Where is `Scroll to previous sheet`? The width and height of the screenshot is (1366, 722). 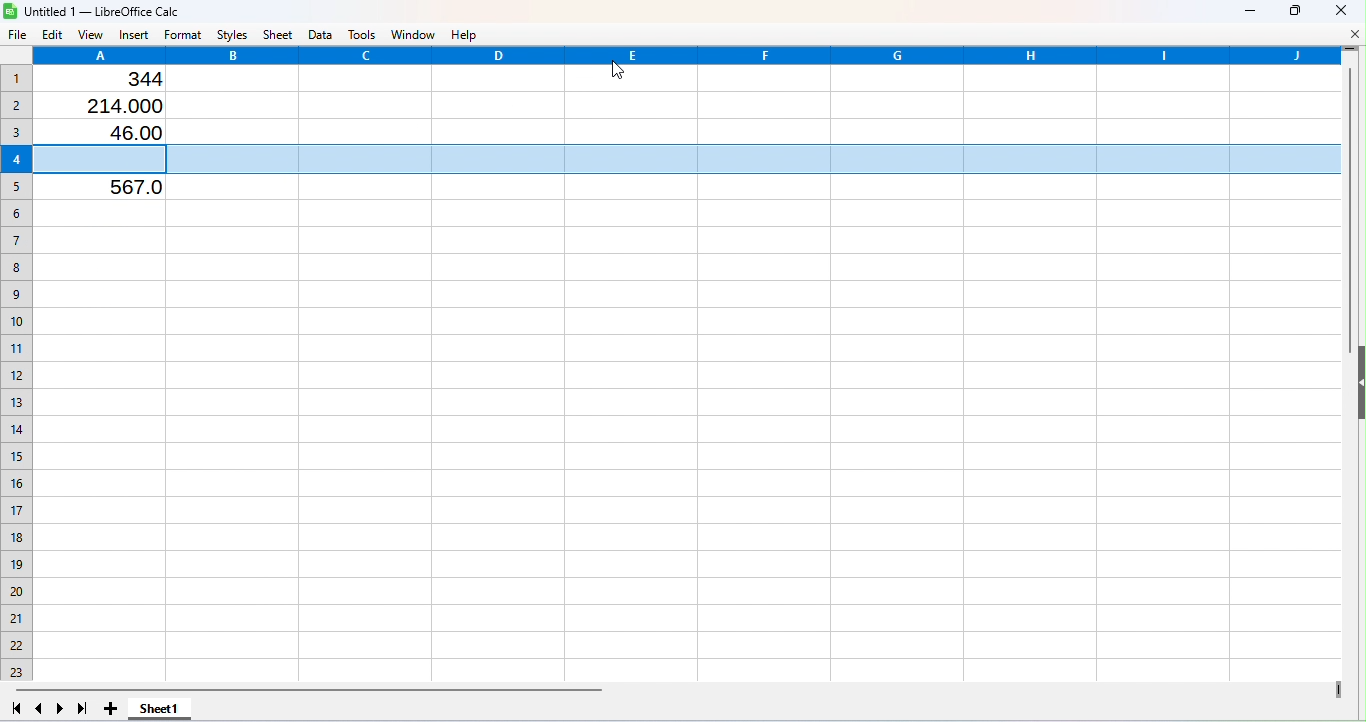
Scroll to previous sheet is located at coordinates (39, 708).